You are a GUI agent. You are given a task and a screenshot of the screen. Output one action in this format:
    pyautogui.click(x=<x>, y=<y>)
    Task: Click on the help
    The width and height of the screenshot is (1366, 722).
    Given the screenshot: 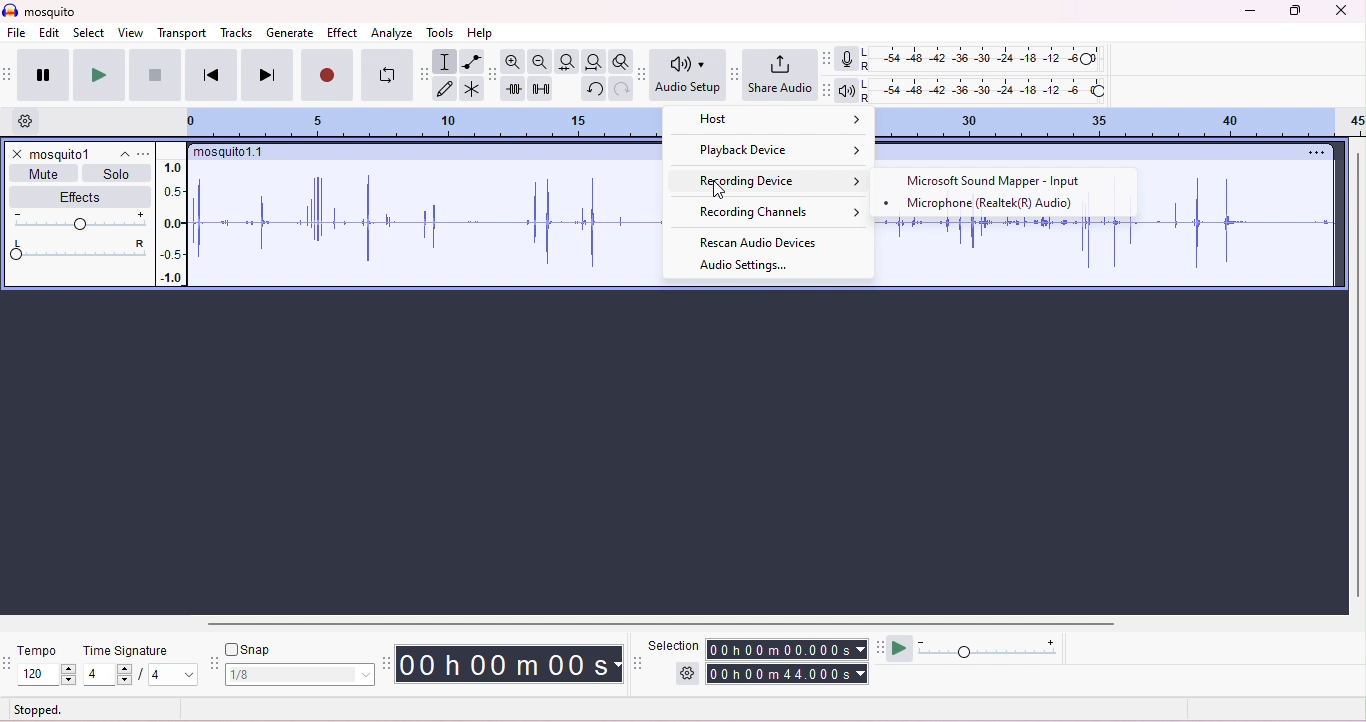 What is the action you would take?
    pyautogui.click(x=480, y=34)
    